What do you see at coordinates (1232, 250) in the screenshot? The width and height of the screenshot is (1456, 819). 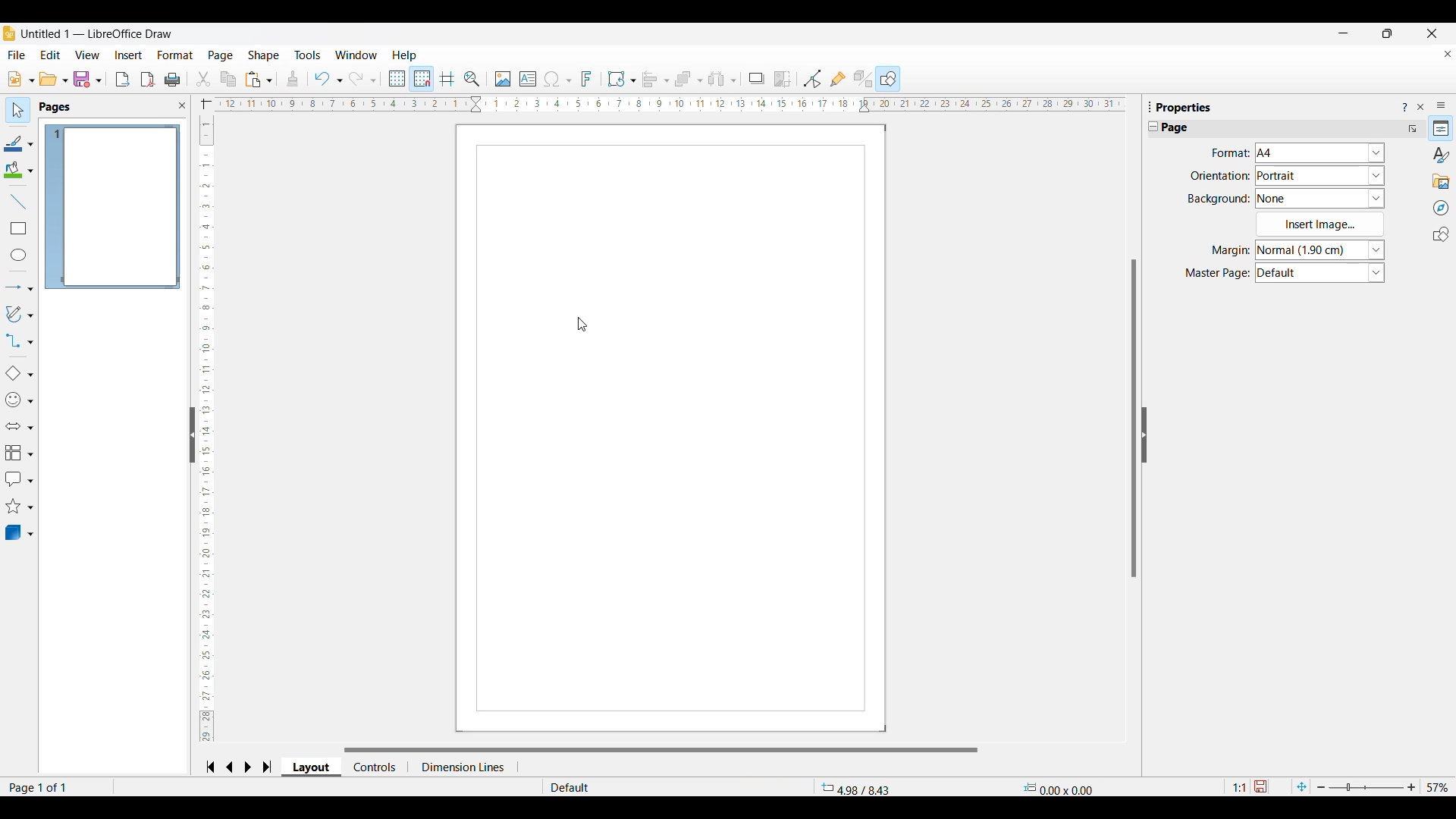 I see `Margin` at bounding box center [1232, 250].